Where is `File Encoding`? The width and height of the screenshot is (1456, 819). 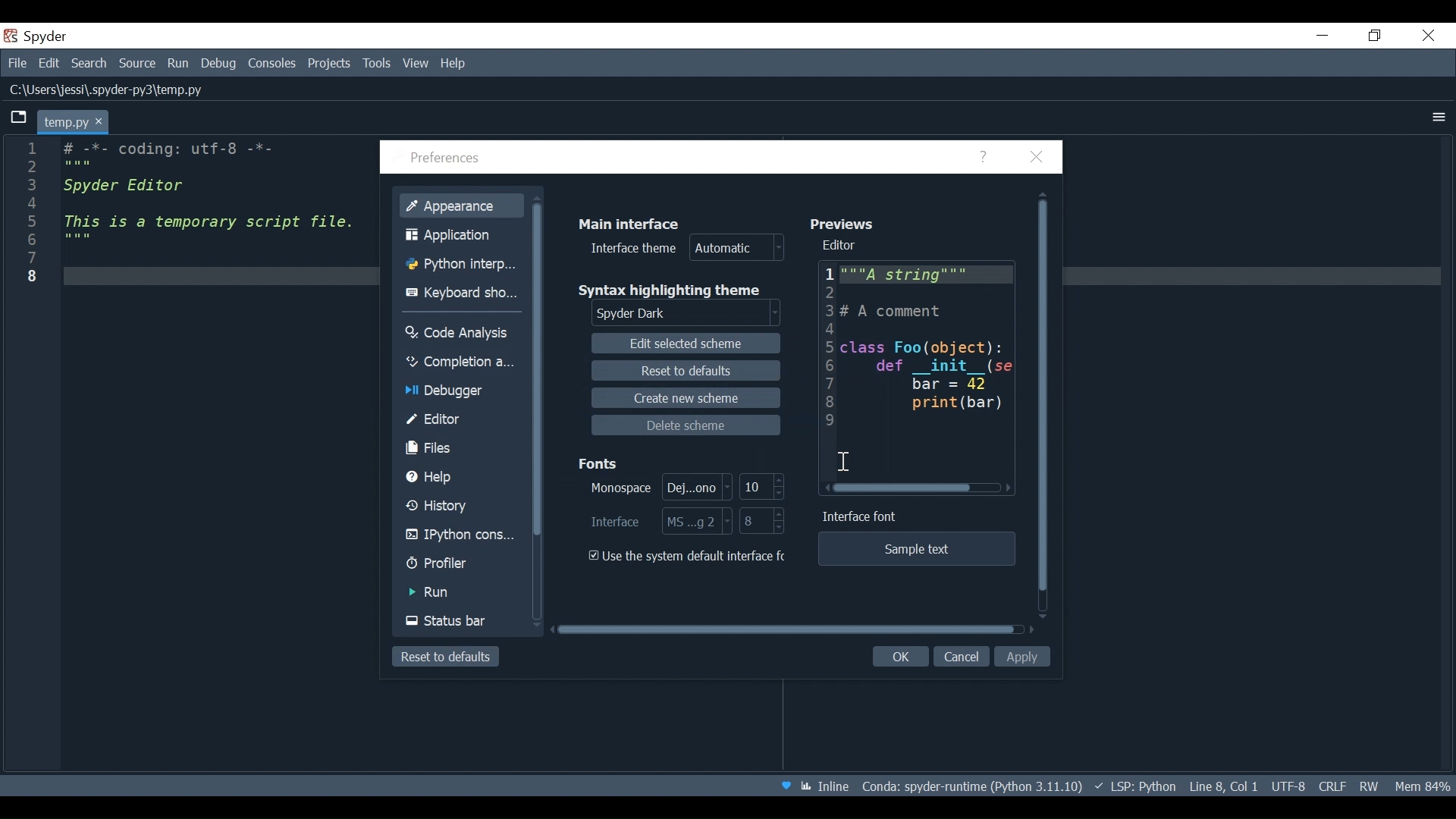 File Encoding is located at coordinates (1288, 786).